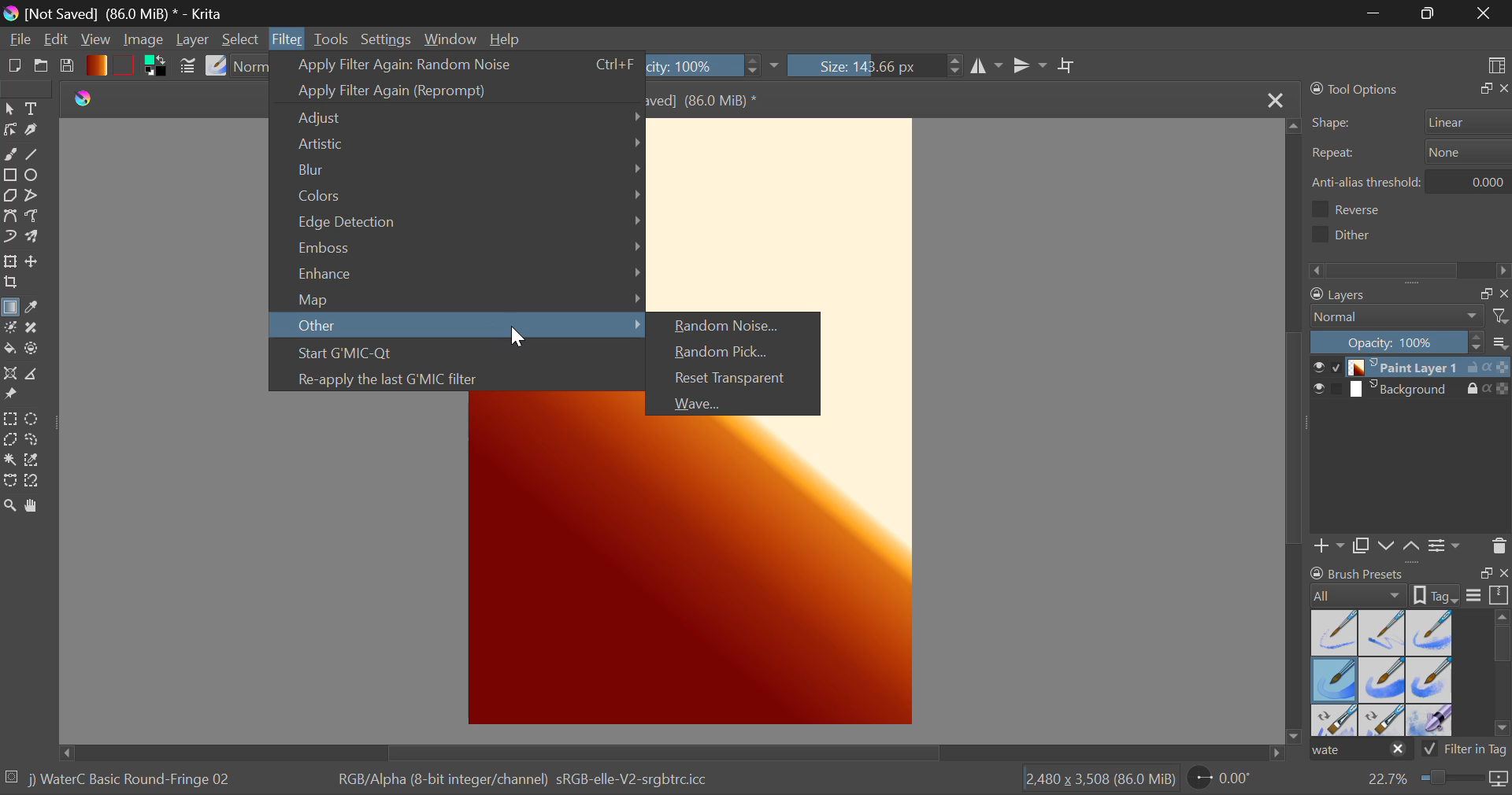 The width and height of the screenshot is (1512, 795). I want to click on Random Pick, so click(737, 353).